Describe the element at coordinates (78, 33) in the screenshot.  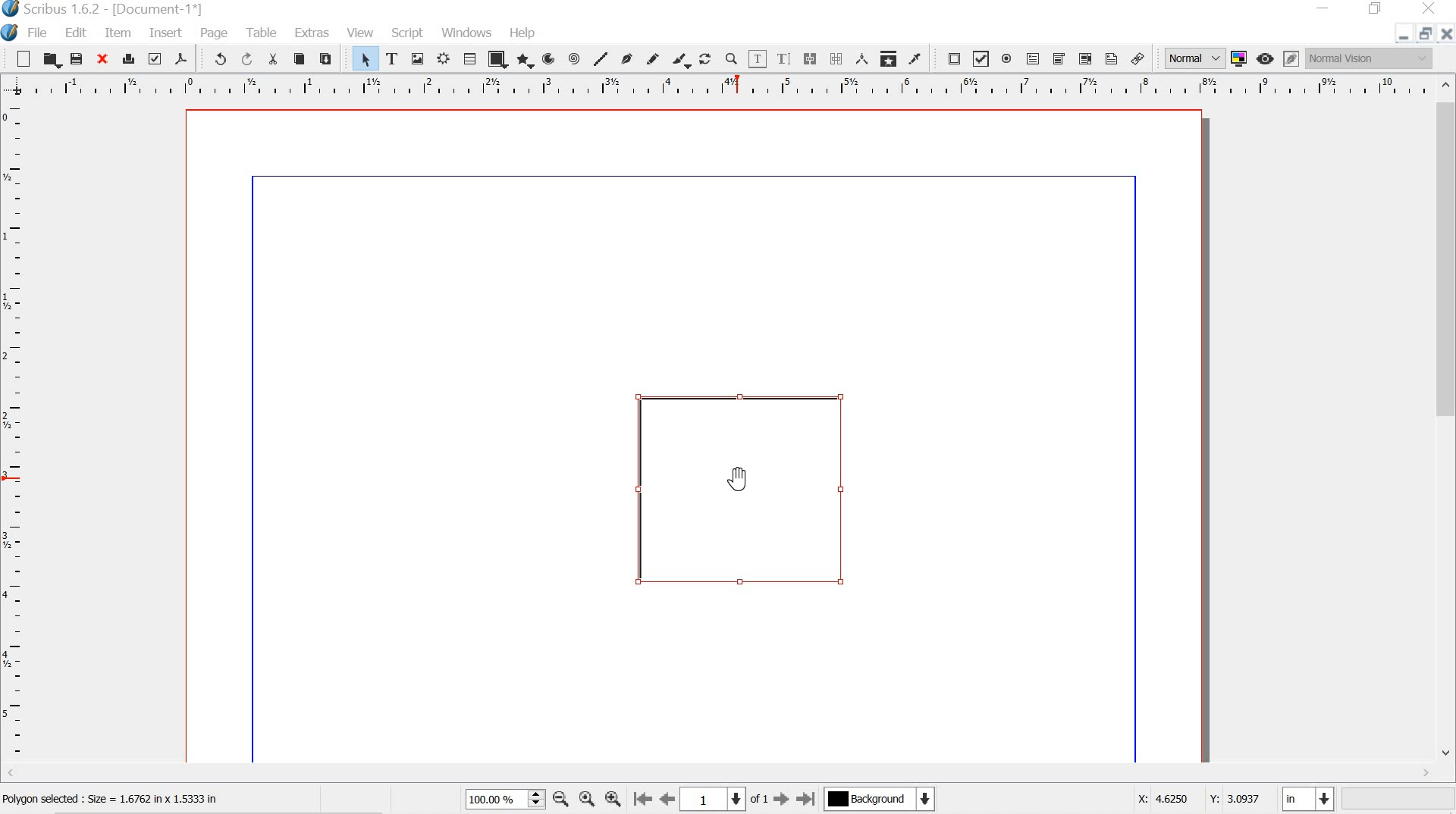
I see `EDIT` at that location.